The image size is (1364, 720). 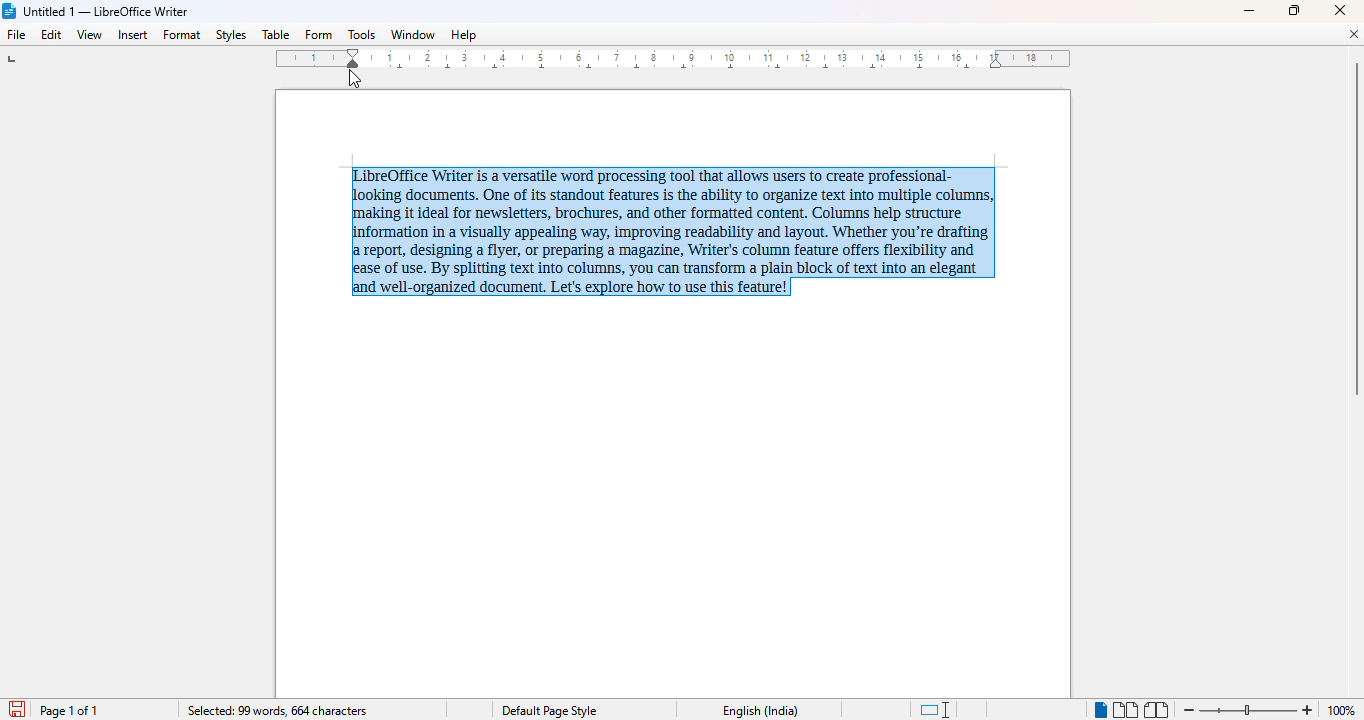 I want to click on minimize, so click(x=1249, y=12).